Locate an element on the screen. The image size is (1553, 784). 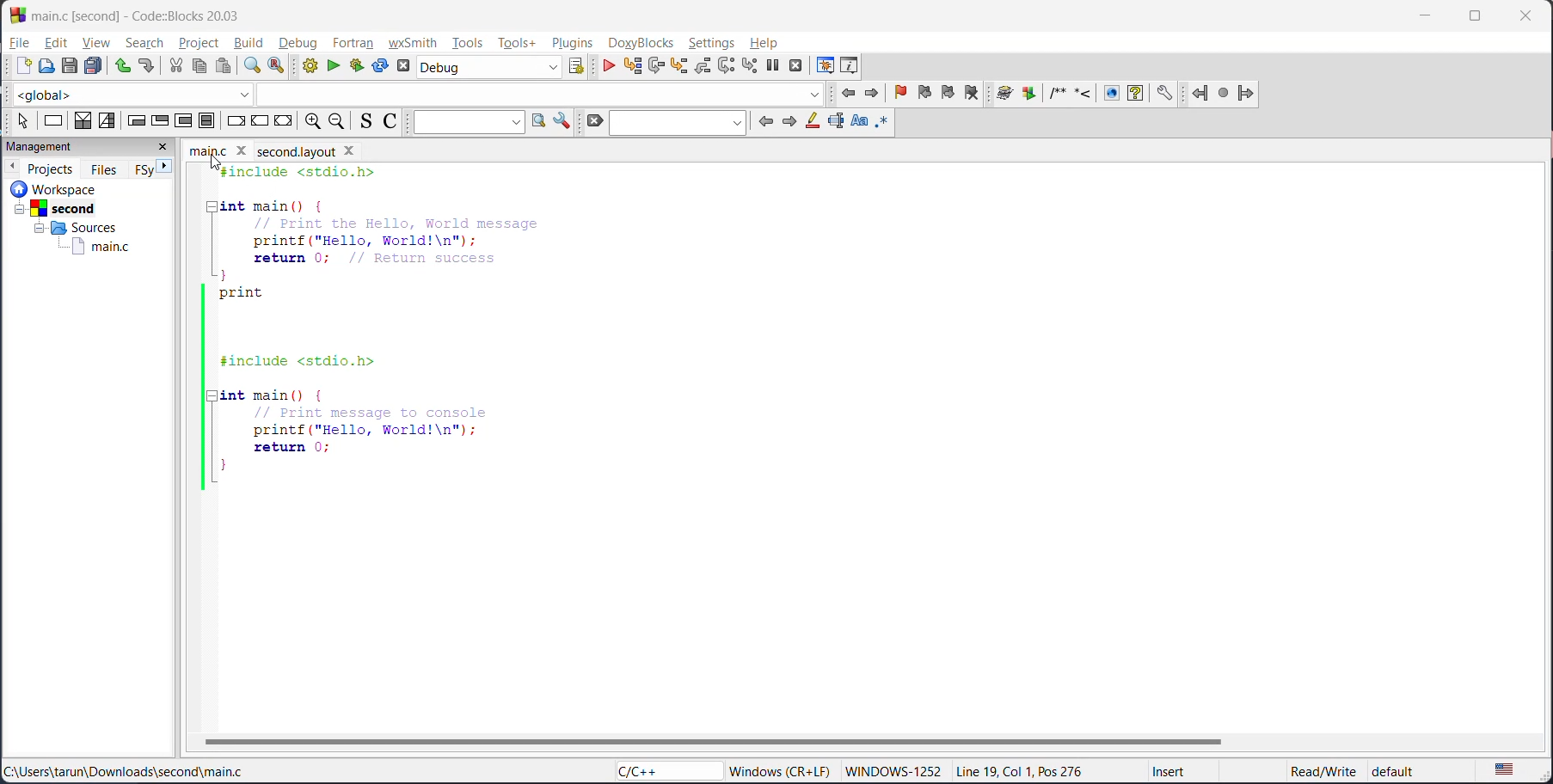
language is located at coordinates (654, 770).